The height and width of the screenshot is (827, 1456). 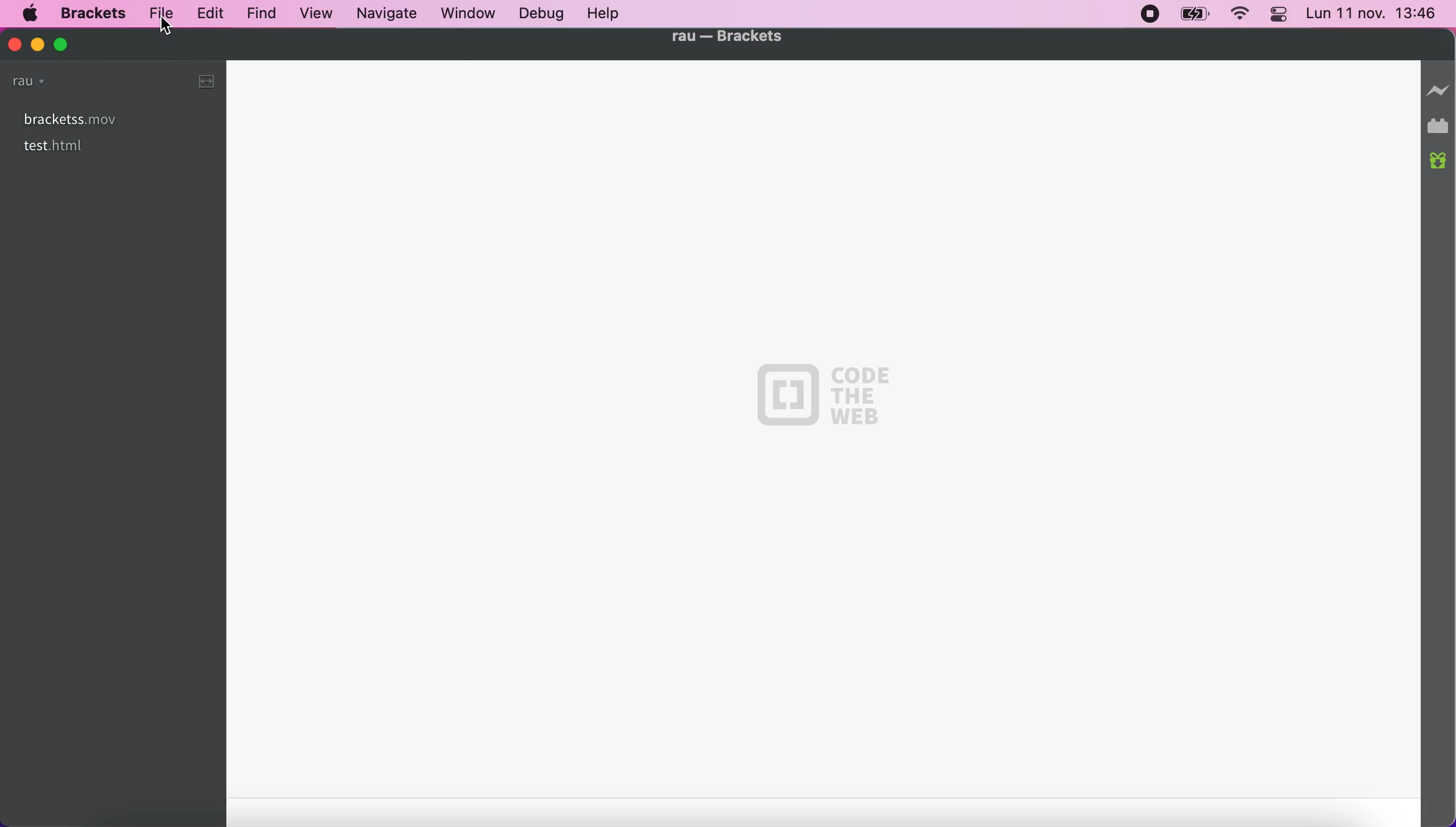 What do you see at coordinates (1440, 166) in the screenshot?
I see `new builds of brackets` at bounding box center [1440, 166].